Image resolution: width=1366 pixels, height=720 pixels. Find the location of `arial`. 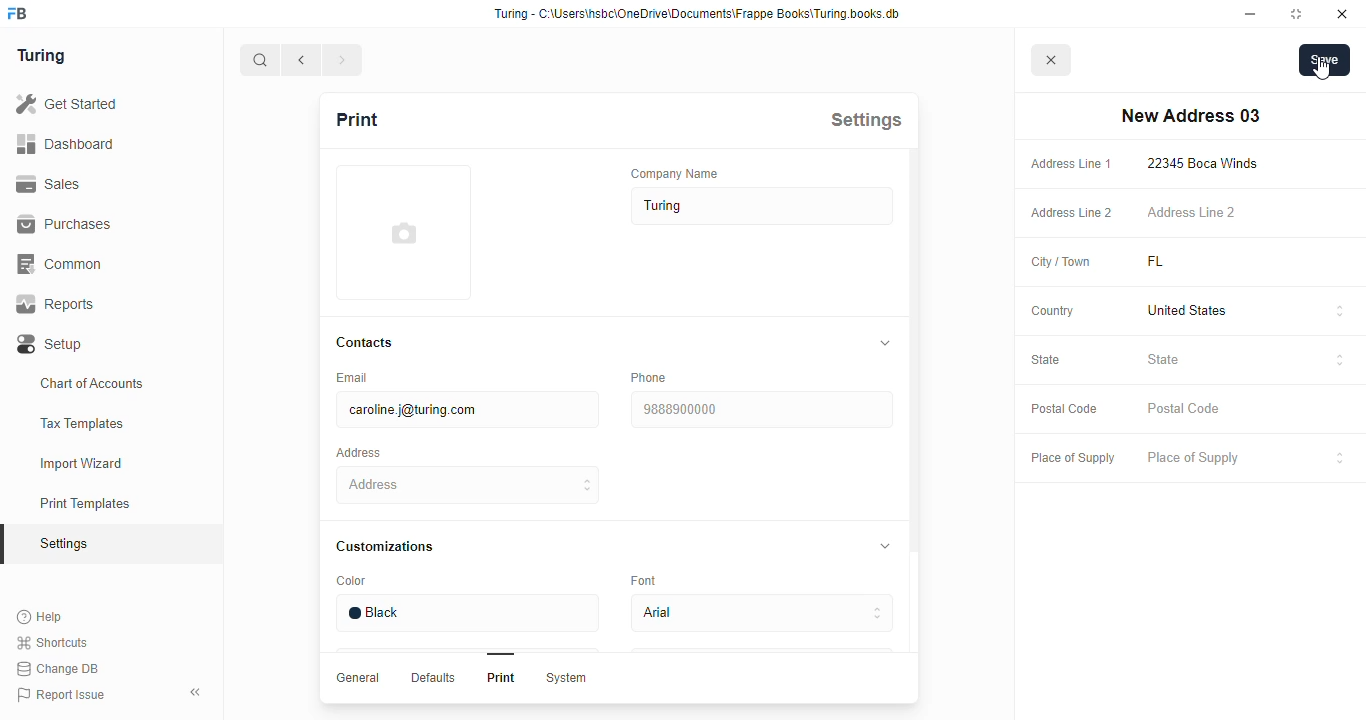

arial is located at coordinates (761, 614).